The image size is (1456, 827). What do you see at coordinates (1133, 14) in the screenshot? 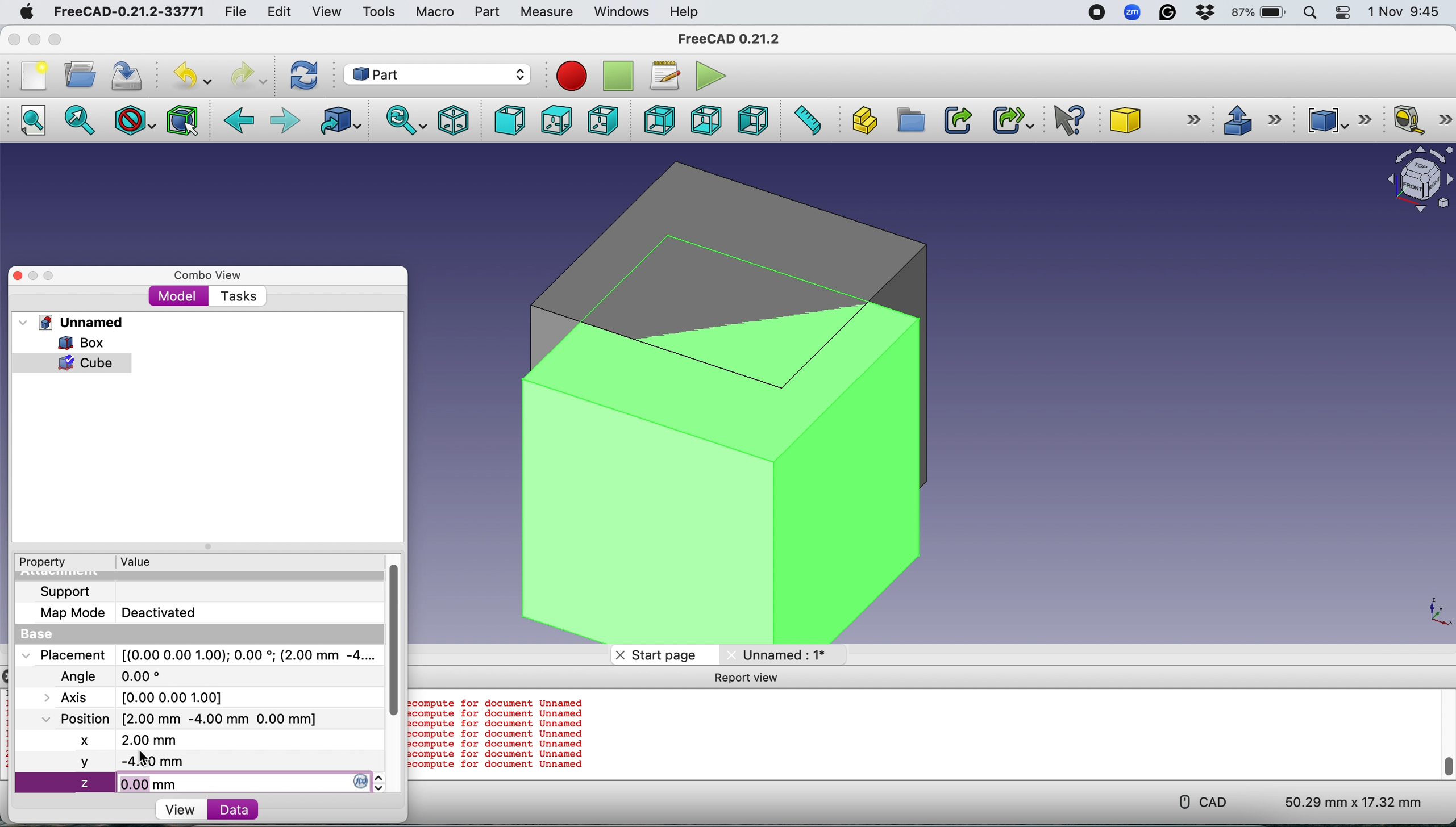
I see `Zoom` at bounding box center [1133, 14].